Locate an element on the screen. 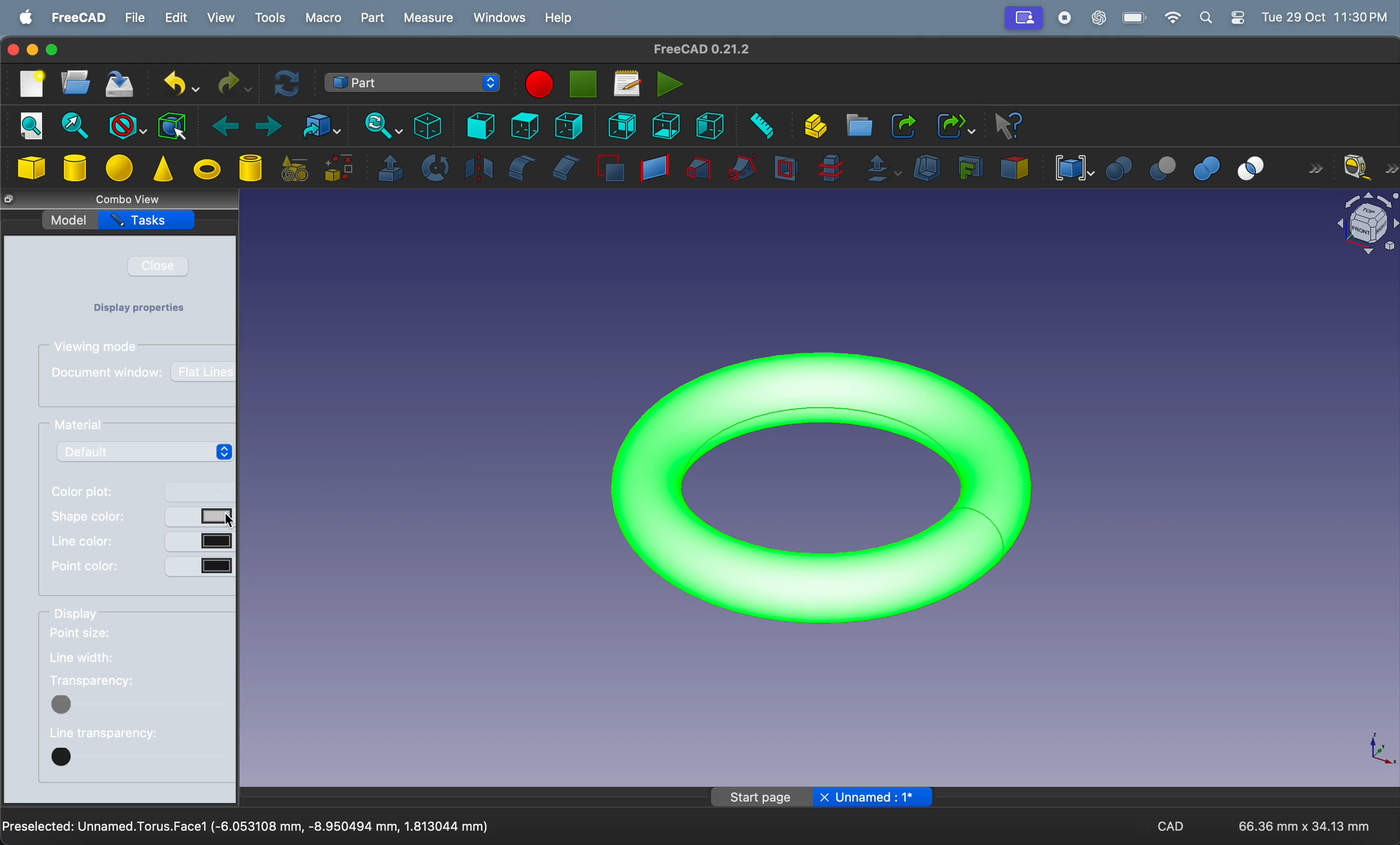  chatgpt is located at coordinates (1098, 16).